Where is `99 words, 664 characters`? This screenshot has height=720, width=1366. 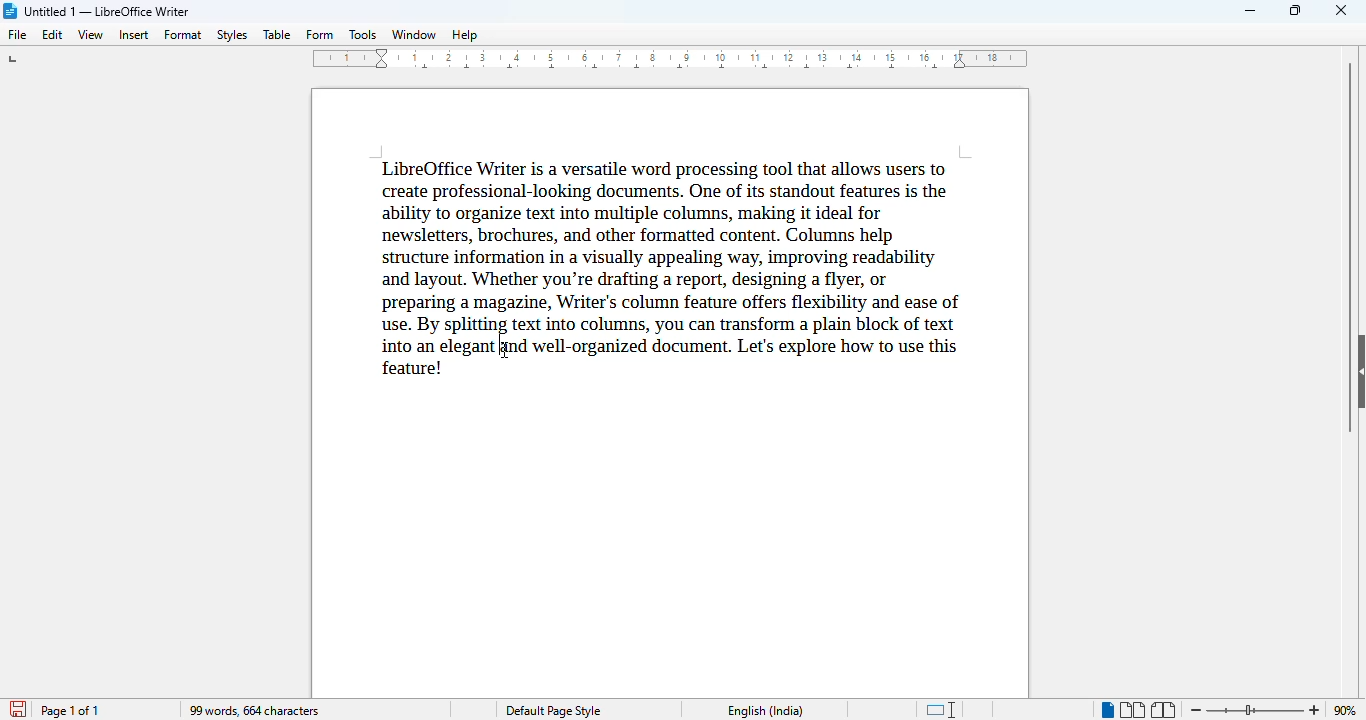
99 words, 664 characters is located at coordinates (253, 710).